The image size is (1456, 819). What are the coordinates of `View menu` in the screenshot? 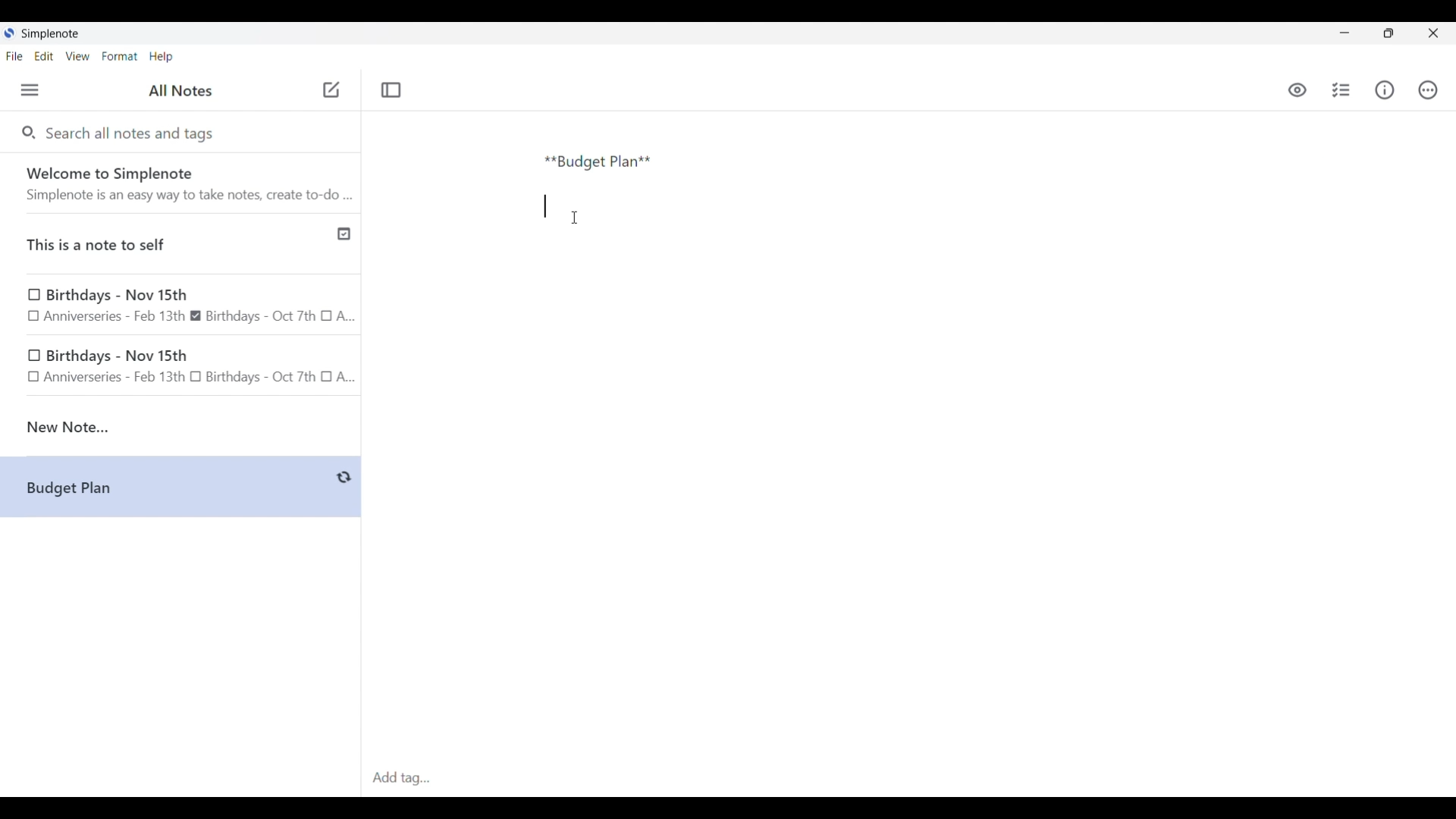 It's located at (78, 55).